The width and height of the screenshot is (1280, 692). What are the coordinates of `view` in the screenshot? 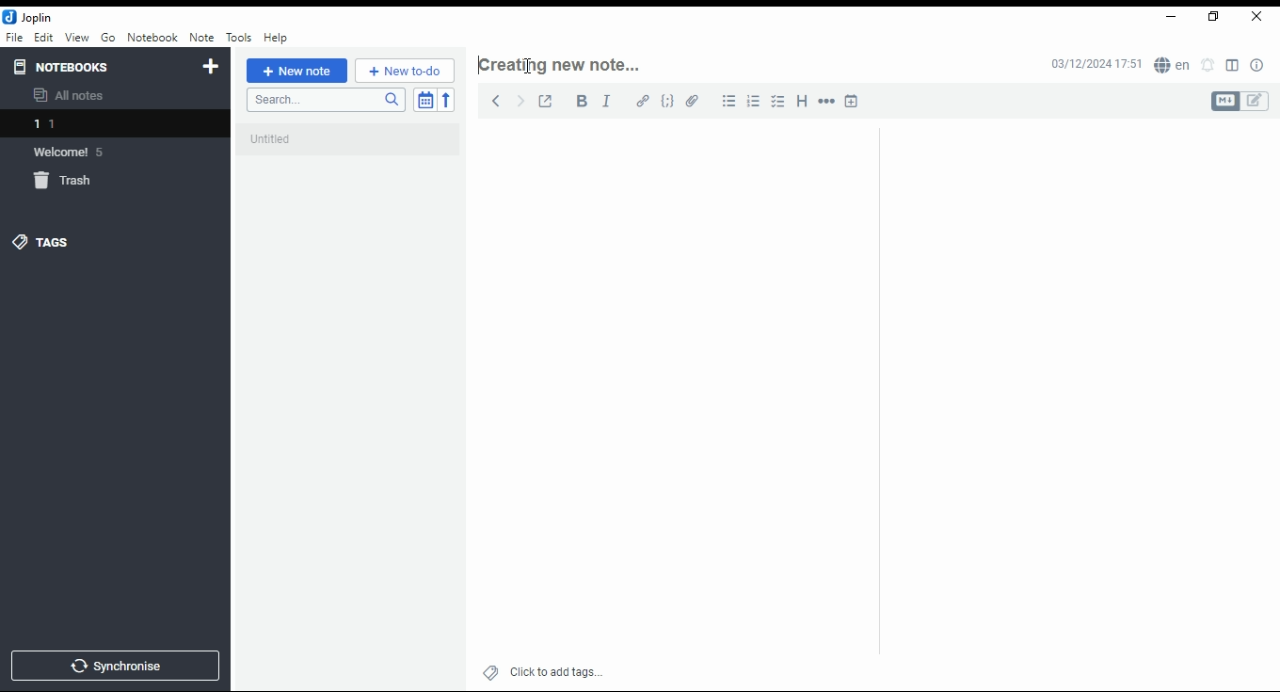 It's located at (76, 38).